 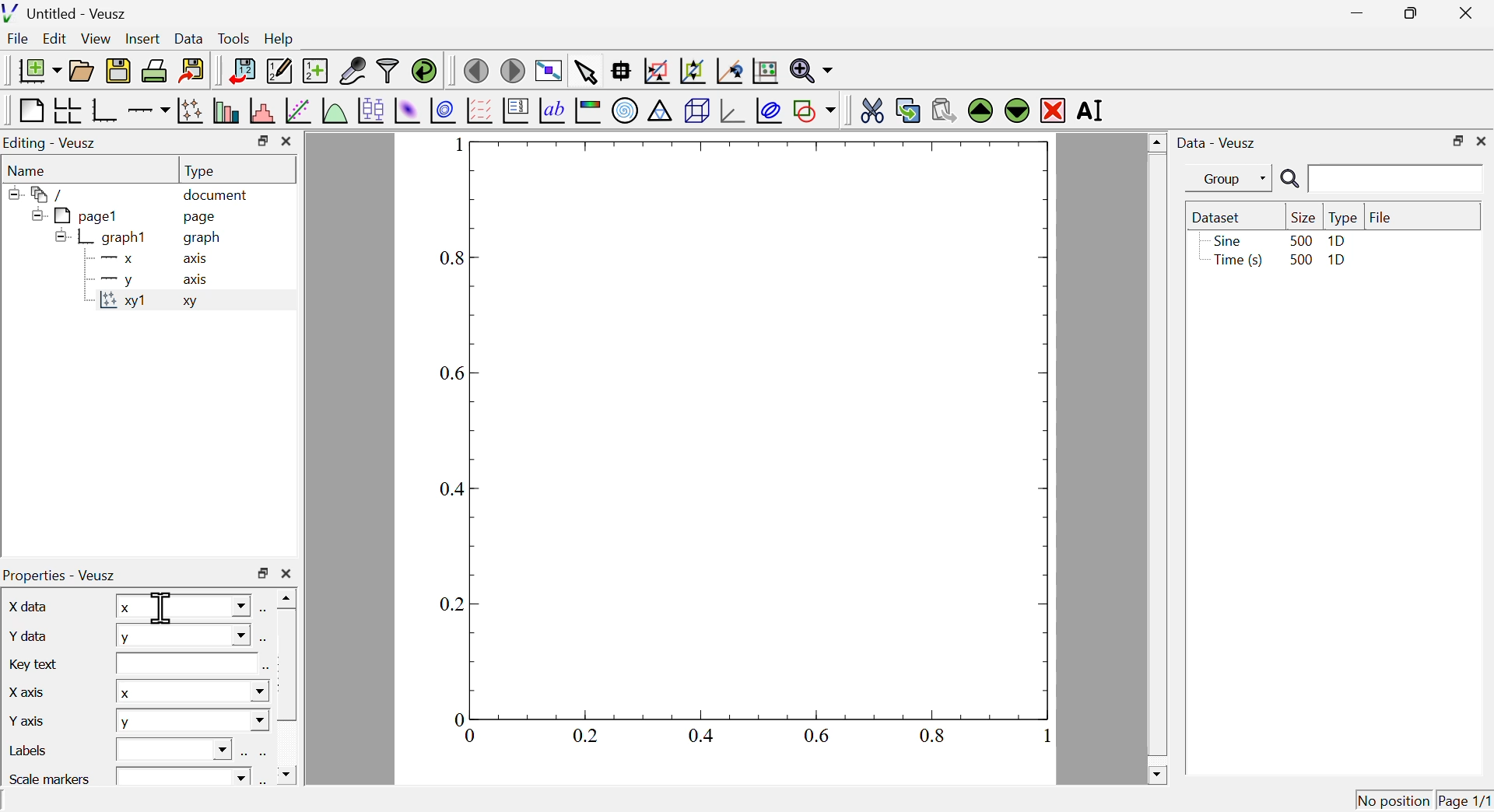 I want to click on recenter graph axes, so click(x=731, y=71).